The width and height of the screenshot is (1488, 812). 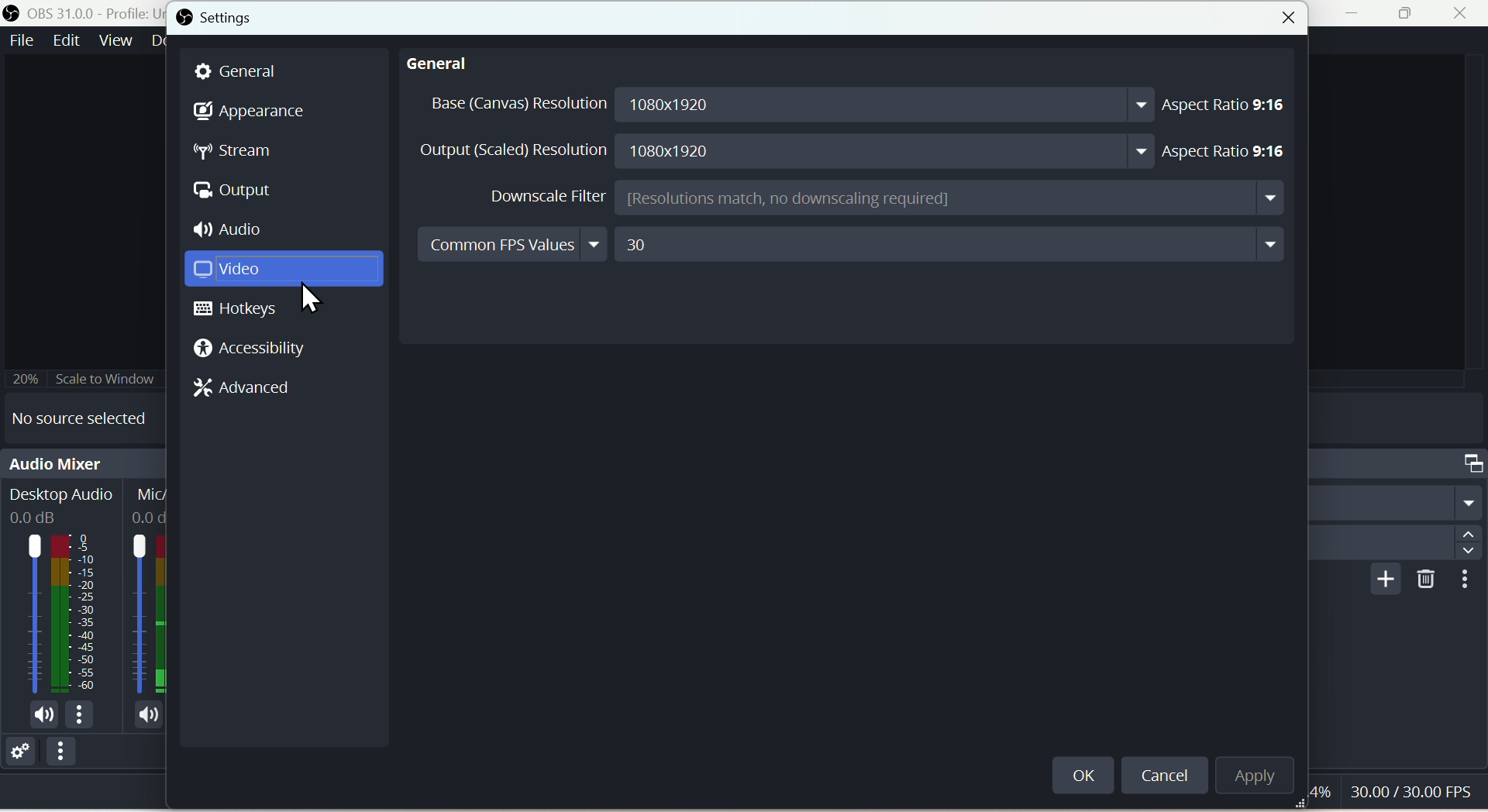 I want to click on Options, so click(x=64, y=755).